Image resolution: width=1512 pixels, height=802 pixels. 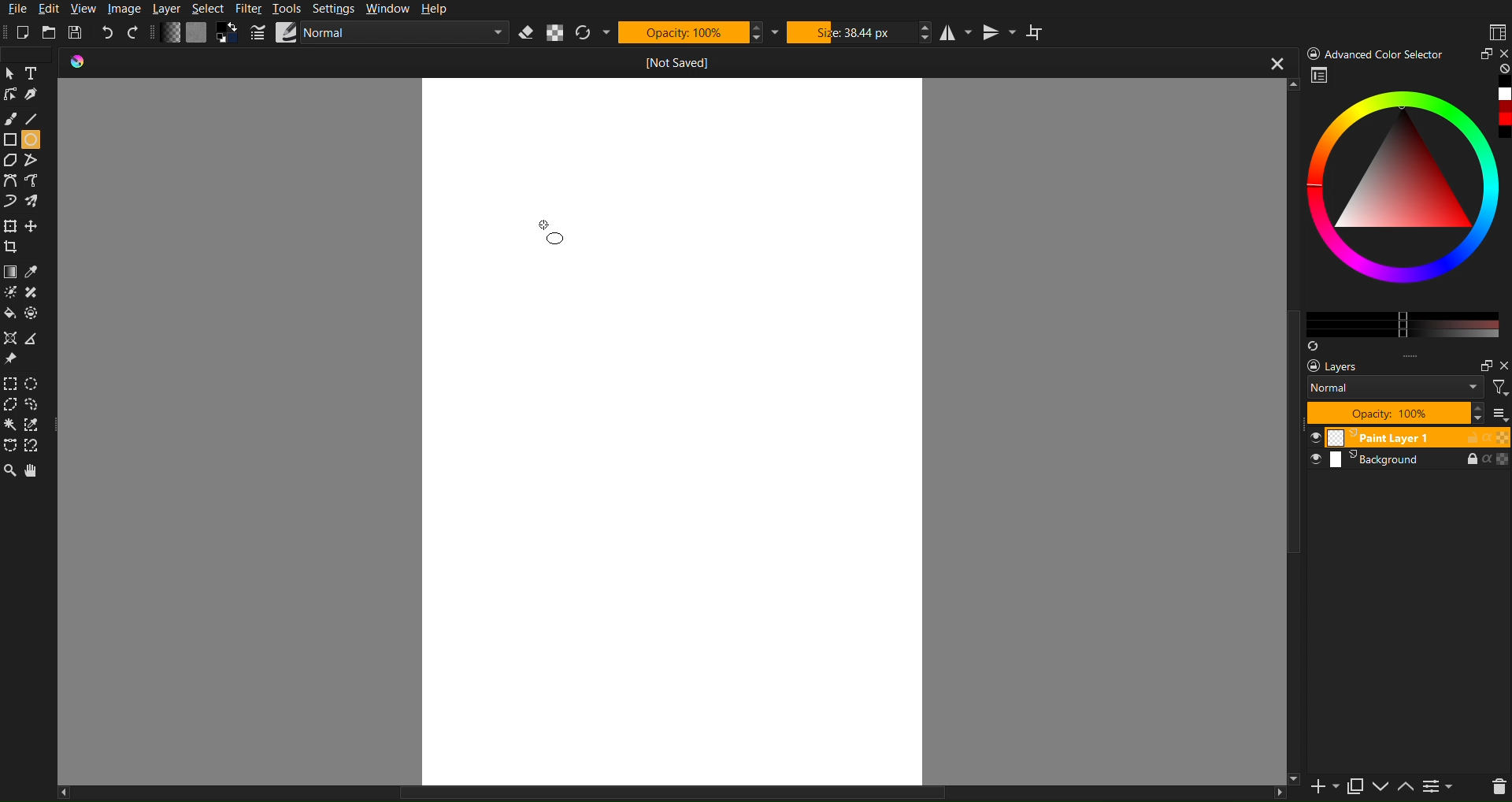 What do you see at coordinates (632, 64) in the screenshot?
I see `Current Document` at bounding box center [632, 64].